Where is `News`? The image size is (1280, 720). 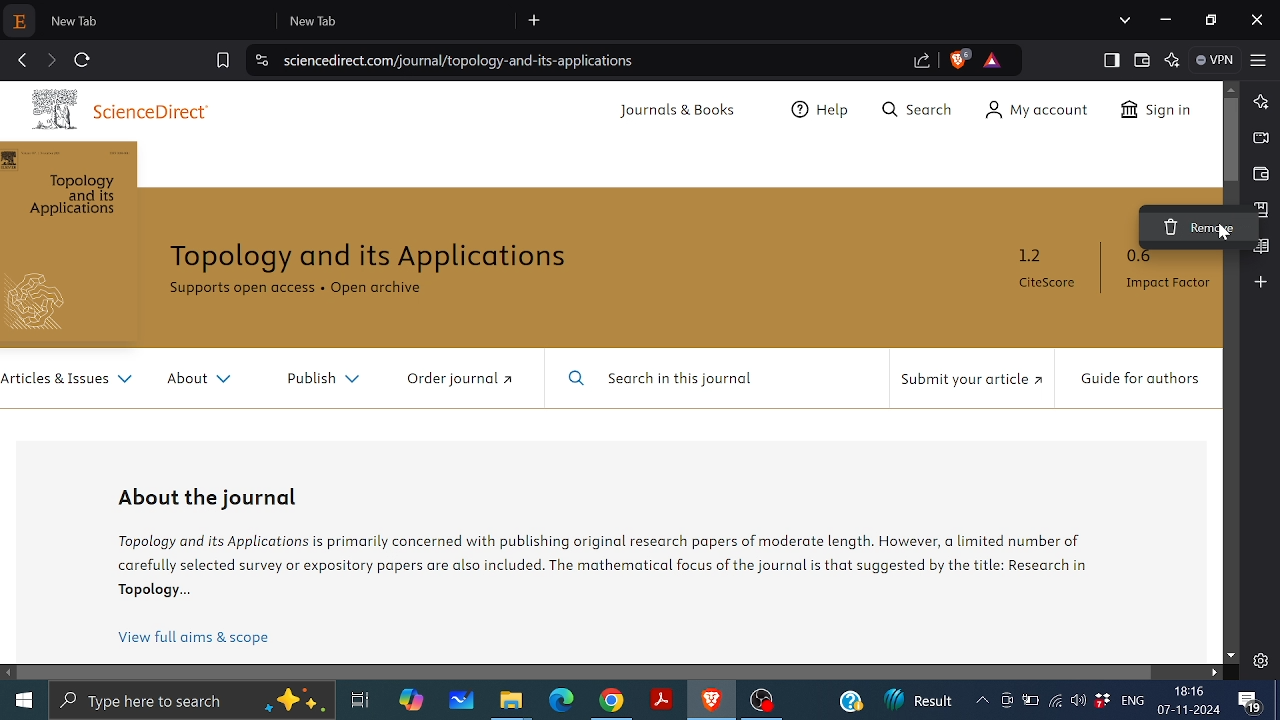 News is located at coordinates (917, 702).